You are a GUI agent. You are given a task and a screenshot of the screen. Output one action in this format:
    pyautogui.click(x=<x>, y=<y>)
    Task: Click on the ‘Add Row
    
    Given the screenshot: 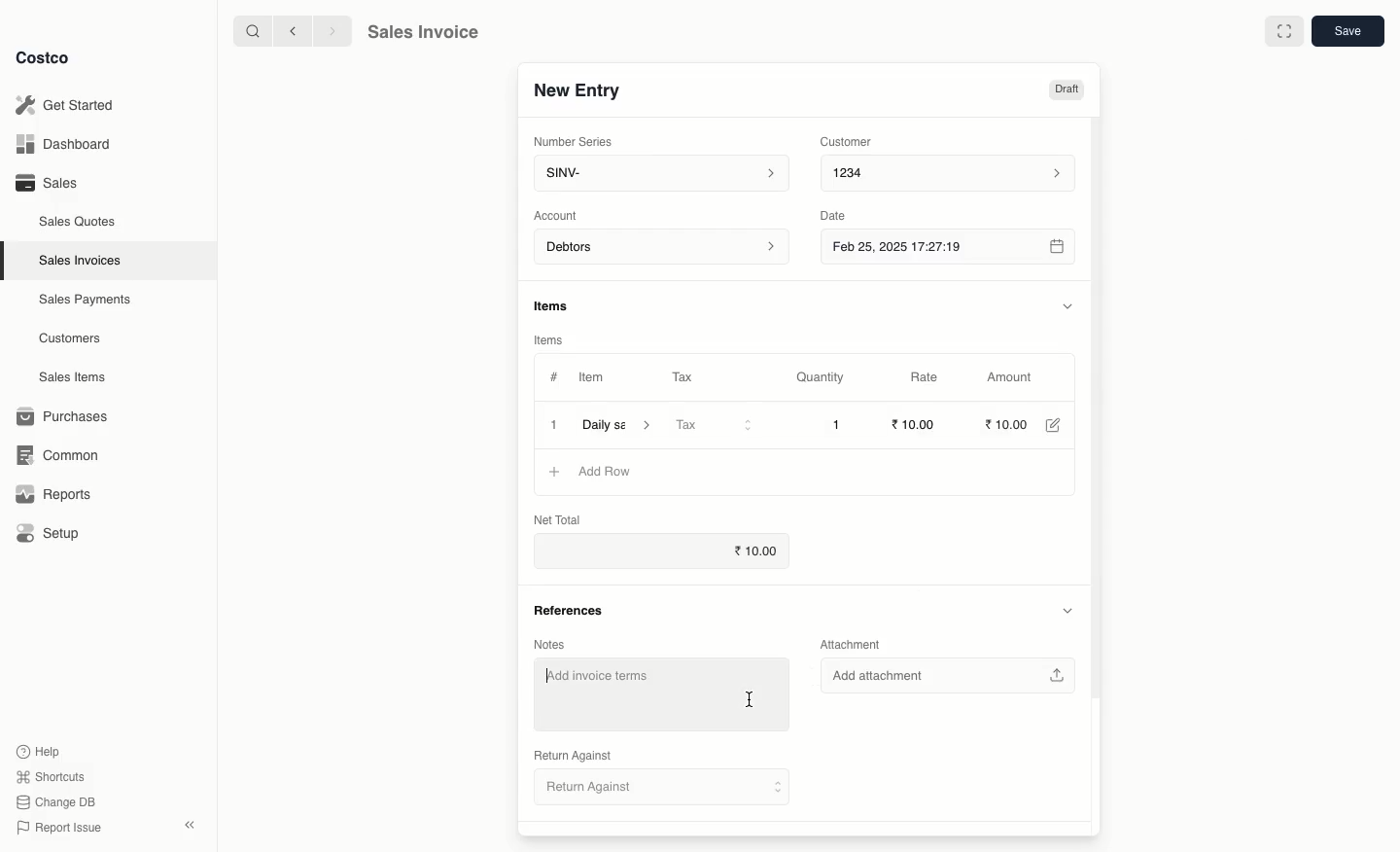 What is the action you would take?
    pyautogui.click(x=610, y=472)
    